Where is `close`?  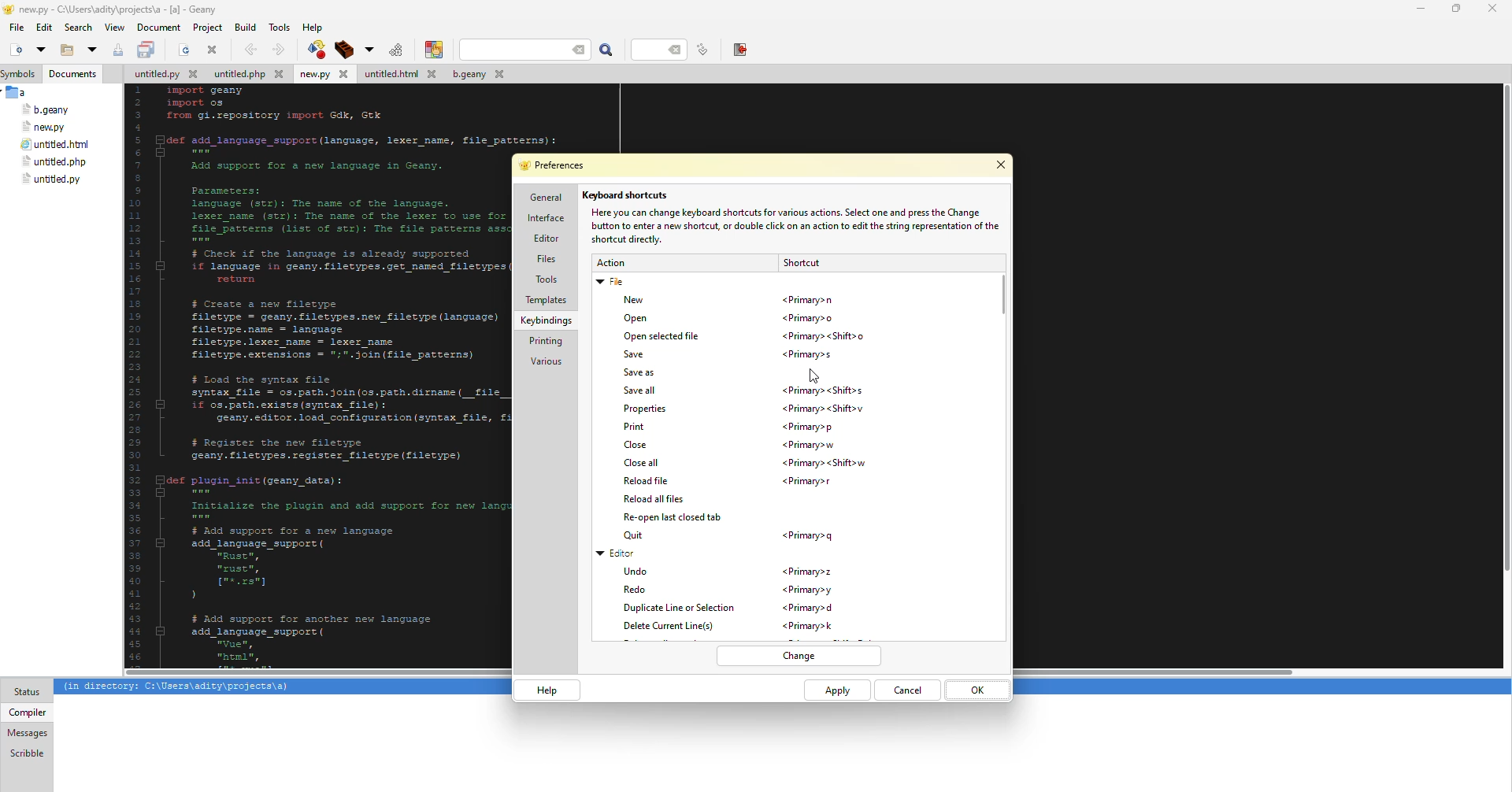
close is located at coordinates (213, 50).